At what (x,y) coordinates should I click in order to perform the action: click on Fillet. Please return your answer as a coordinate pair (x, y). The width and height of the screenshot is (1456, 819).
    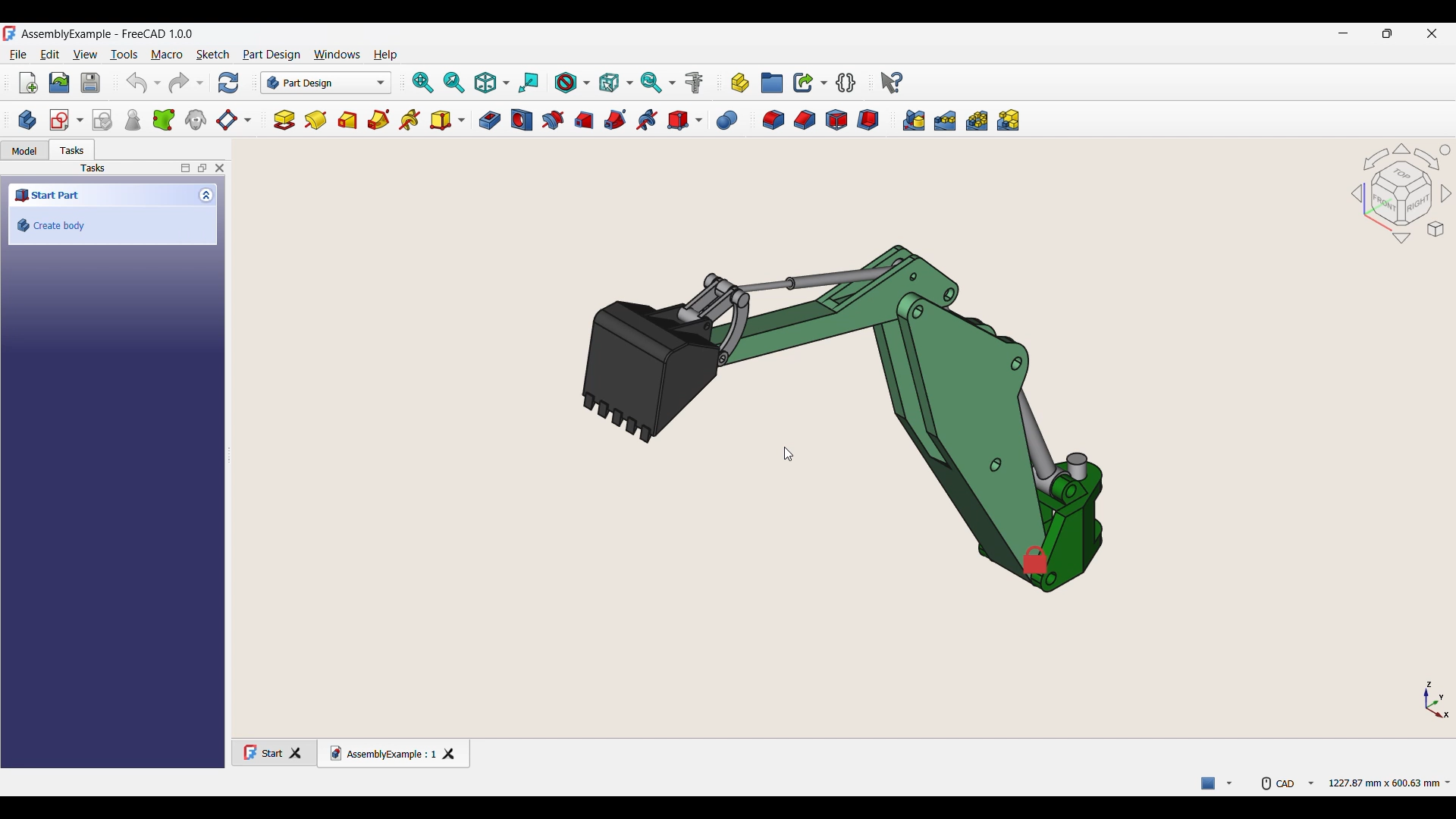
    Looking at the image, I should click on (773, 121).